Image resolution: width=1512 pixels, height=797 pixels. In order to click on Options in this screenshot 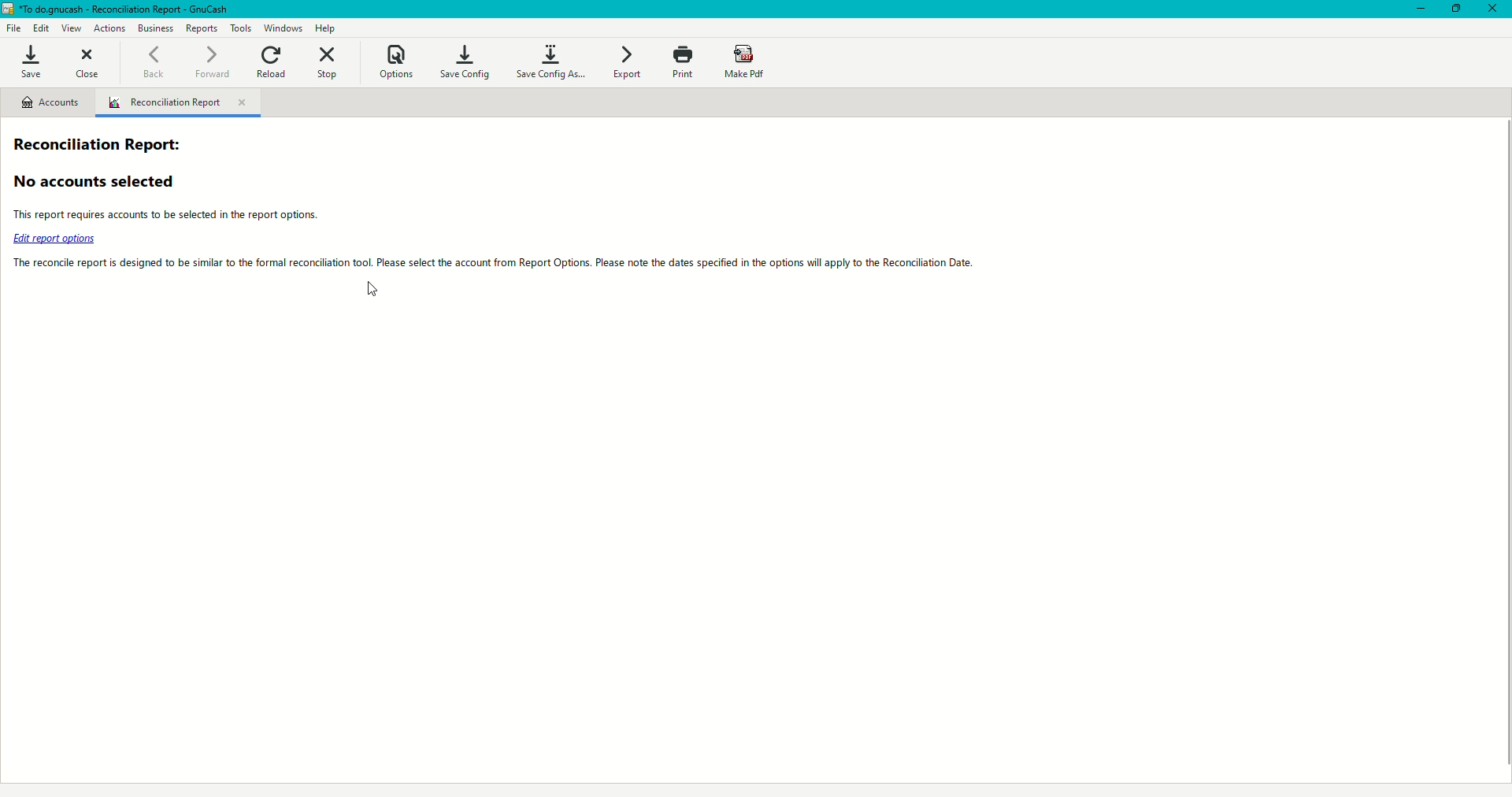, I will do `click(395, 61)`.